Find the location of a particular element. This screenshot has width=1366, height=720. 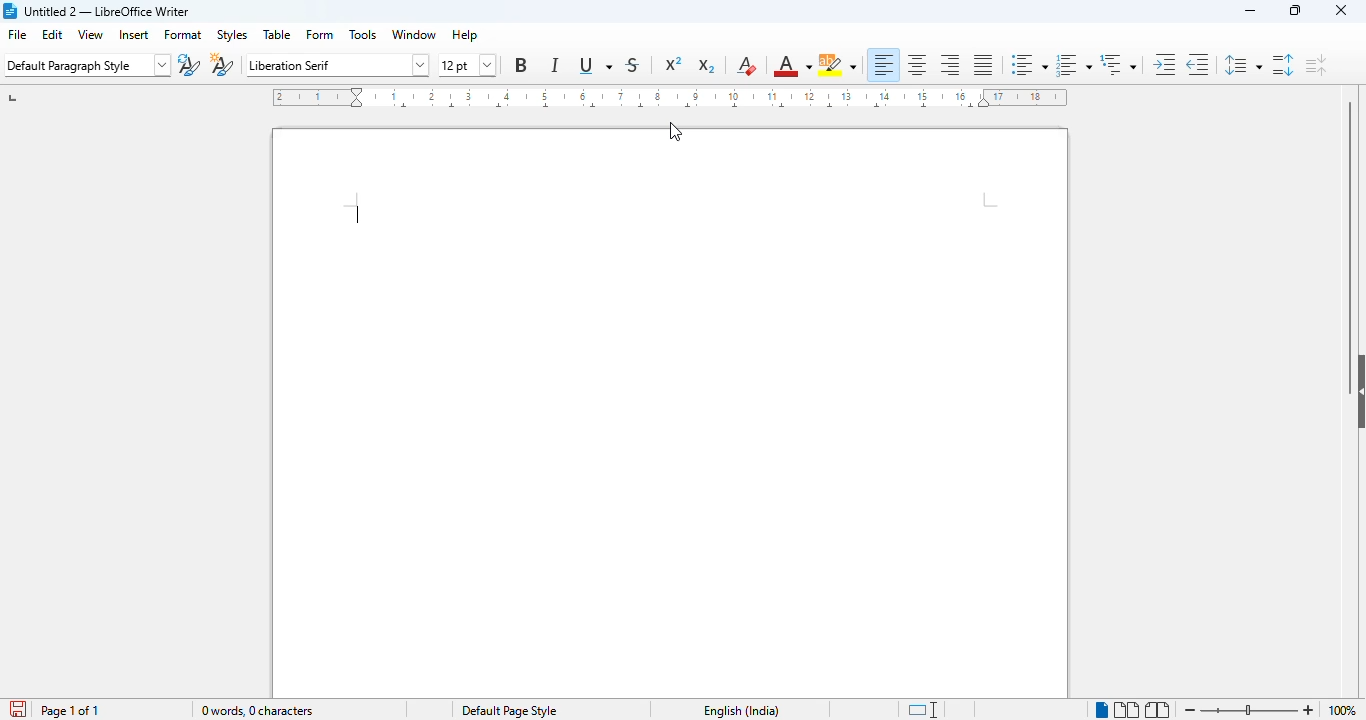

single-page view is located at coordinates (1101, 710).